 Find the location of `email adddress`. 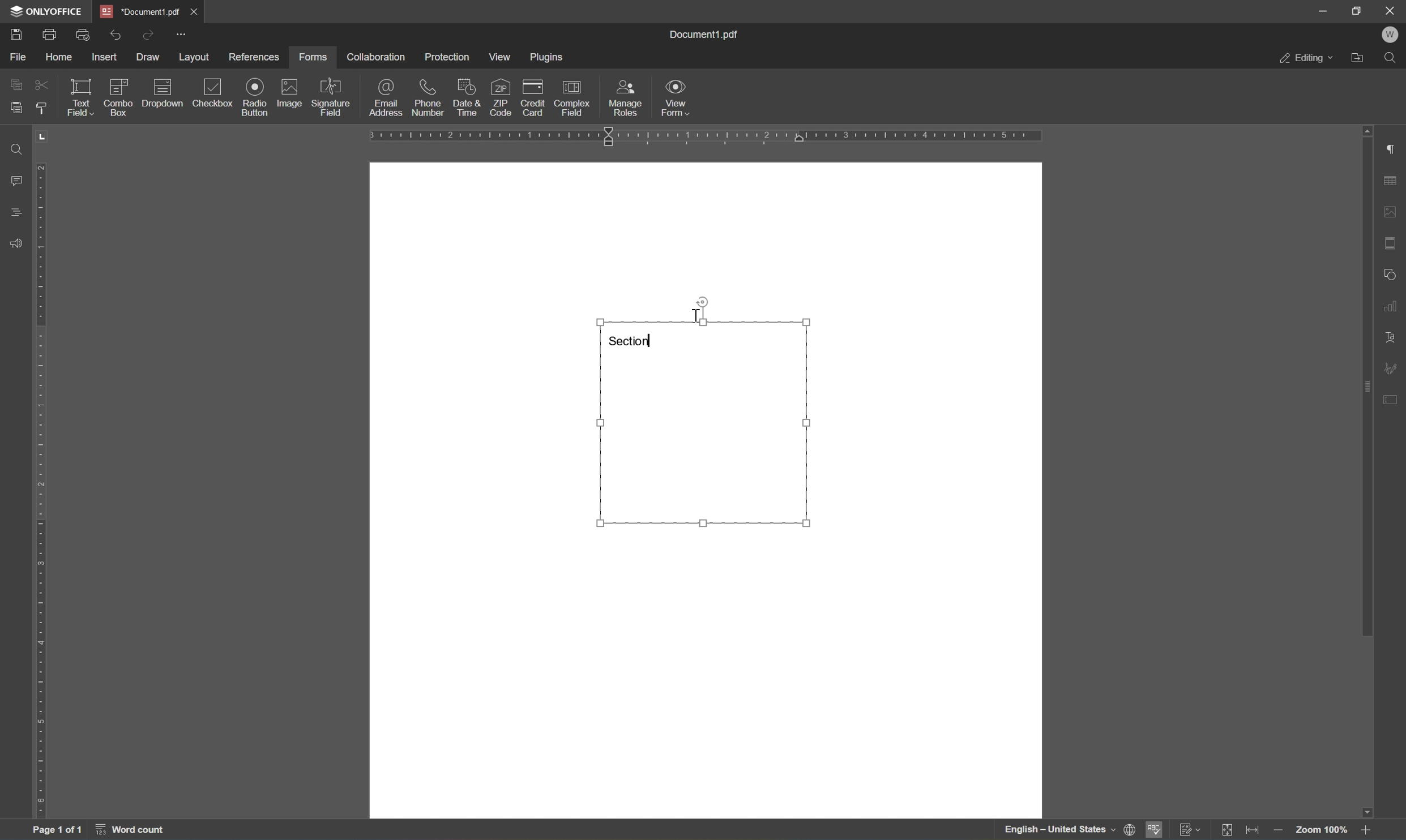

email adddress is located at coordinates (385, 97).